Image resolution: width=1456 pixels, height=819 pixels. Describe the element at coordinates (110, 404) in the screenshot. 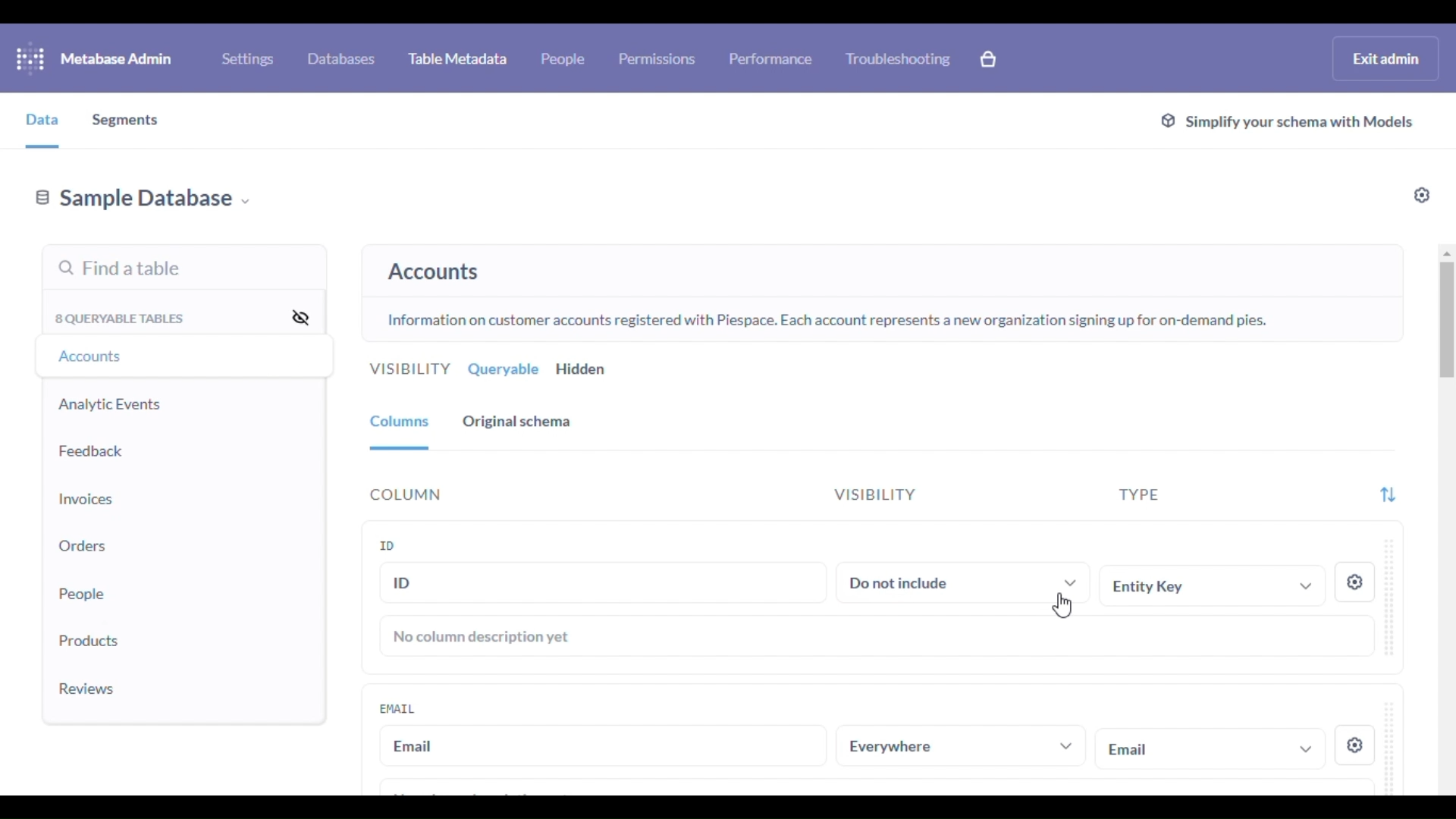

I see `analytic events` at that location.